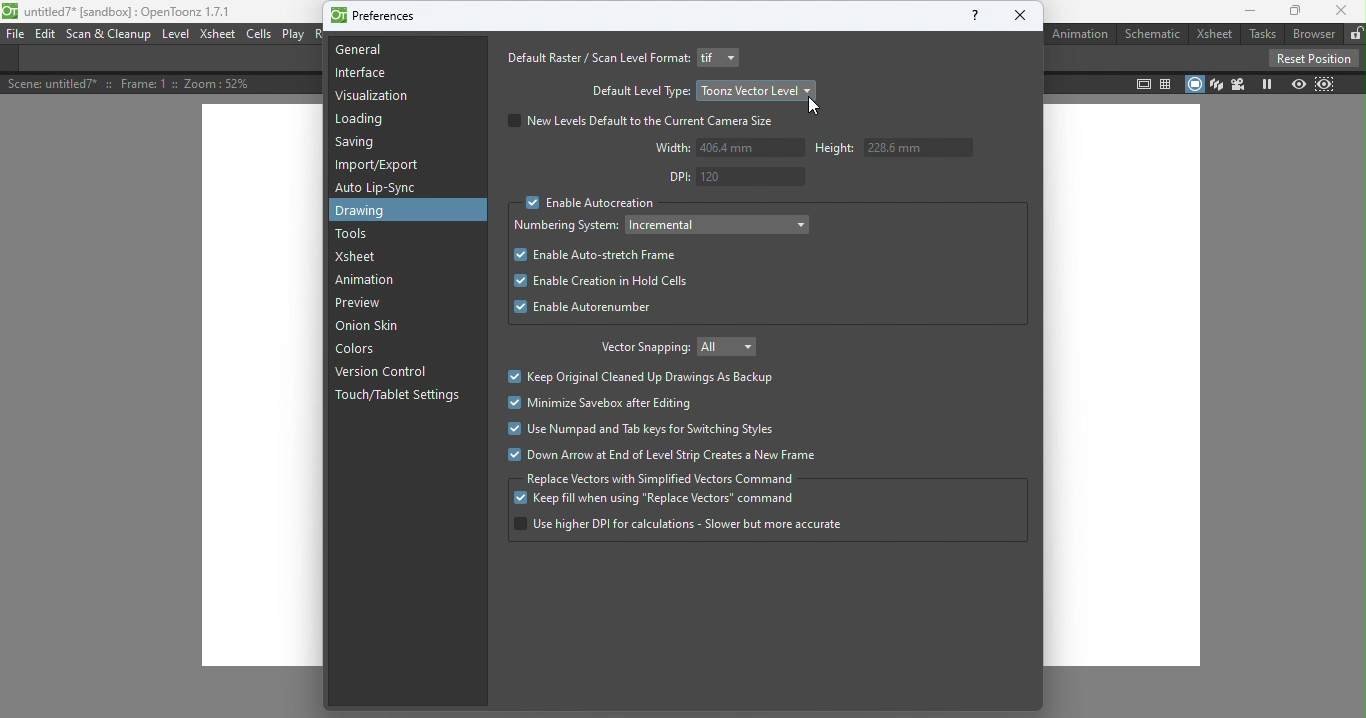 Image resolution: width=1366 pixels, height=718 pixels. What do you see at coordinates (1261, 34) in the screenshot?
I see `Tasks` at bounding box center [1261, 34].